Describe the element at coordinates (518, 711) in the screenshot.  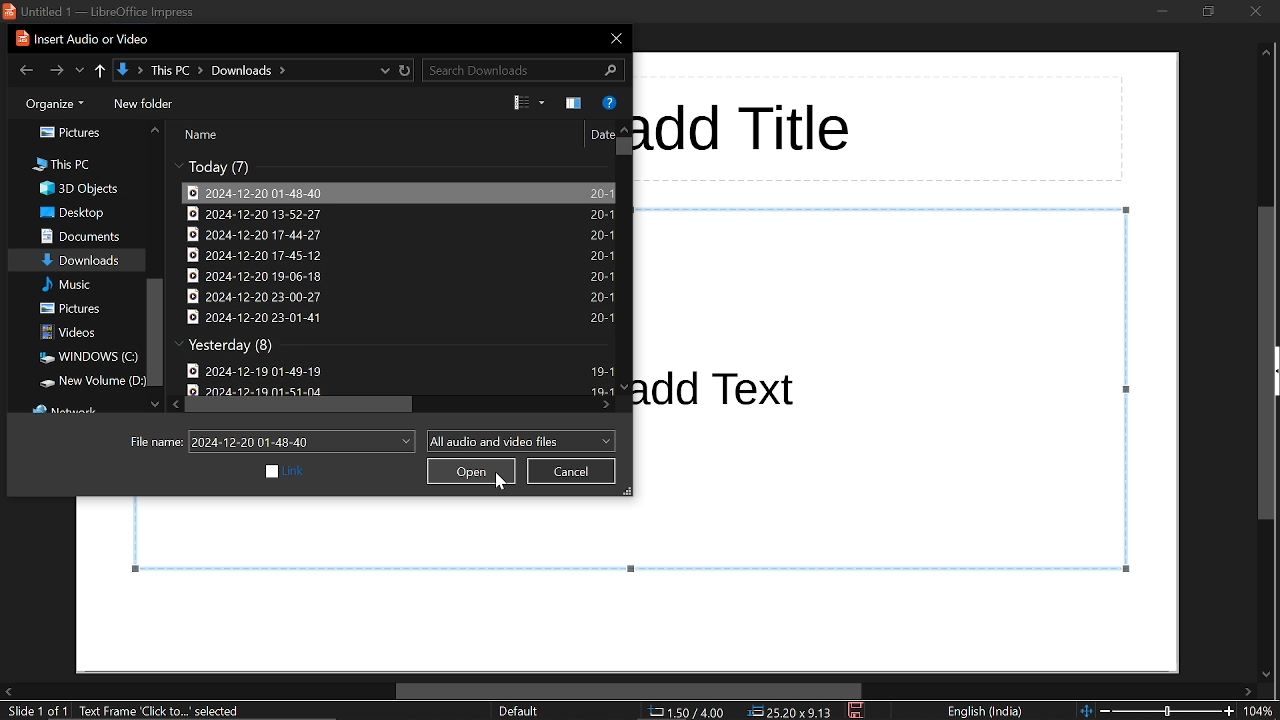
I see `slide style` at that location.